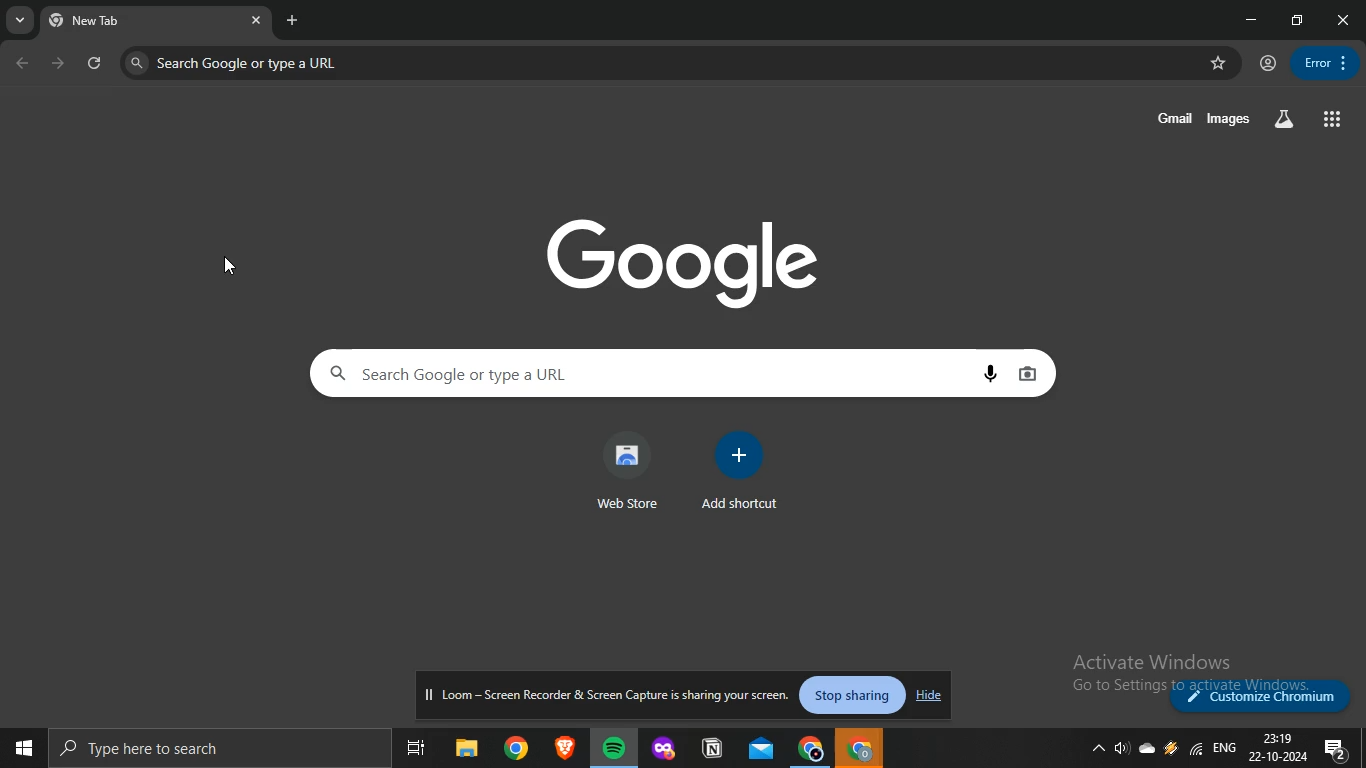 The height and width of the screenshot is (768, 1366). What do you see at coordinates (739, 473) in the screenshot?
I see `add shortcut` at bounding box center [739, 473].